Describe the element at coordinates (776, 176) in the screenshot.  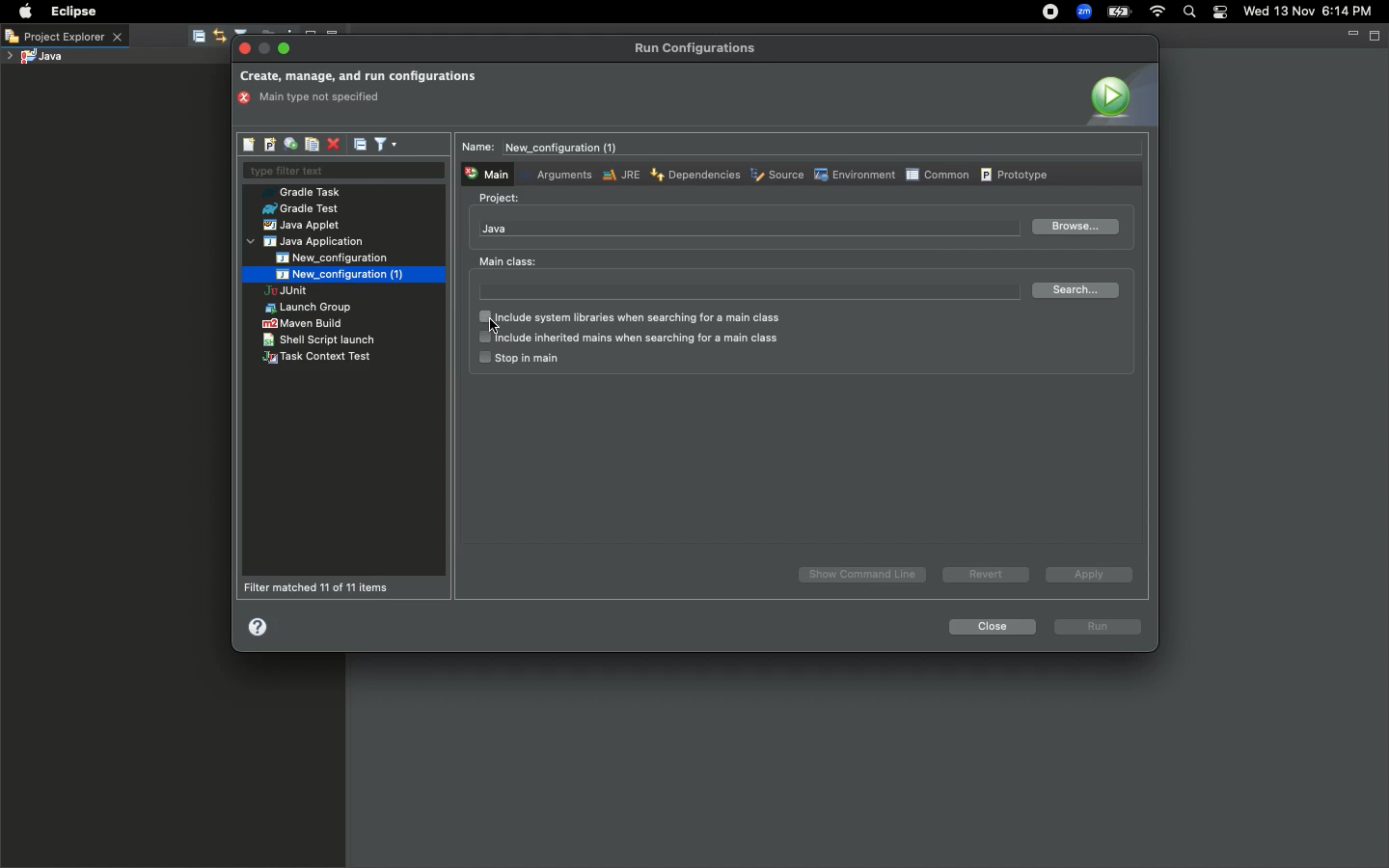
I see `Source` at that location.